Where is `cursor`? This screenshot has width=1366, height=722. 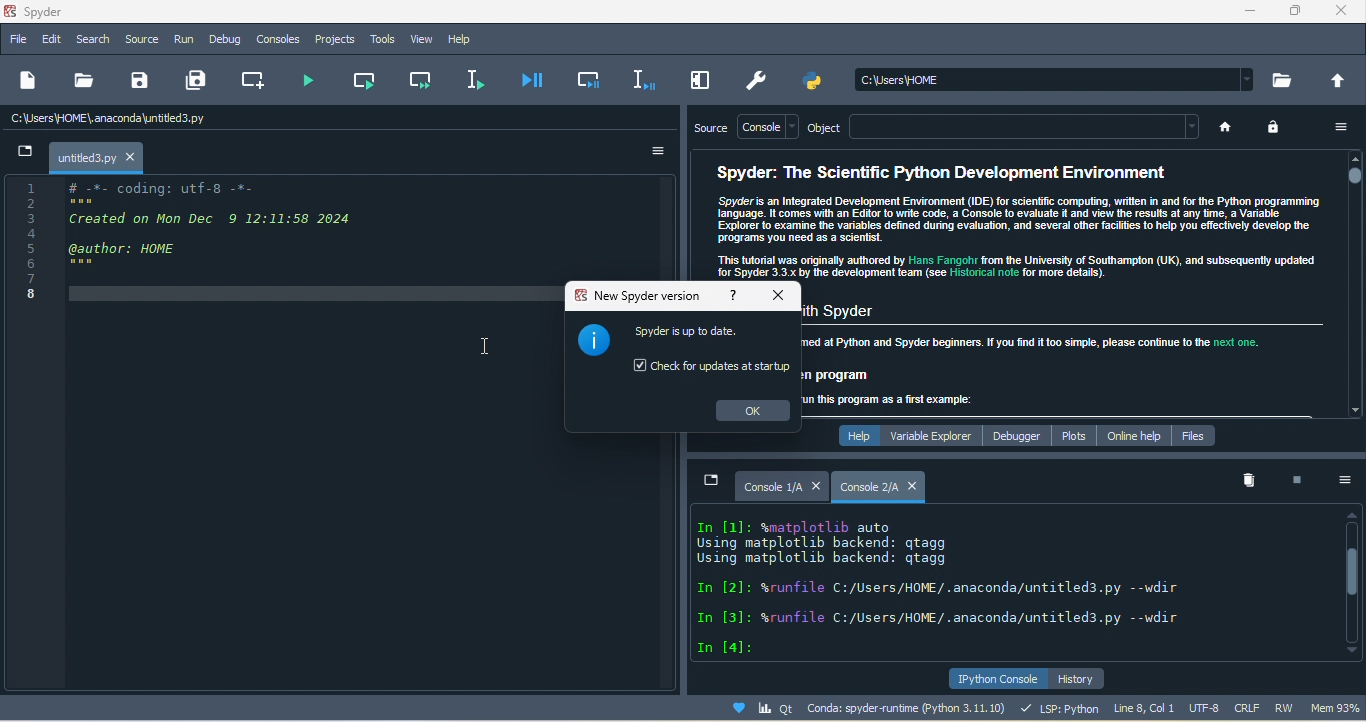
cursor is located at coordinates (483, 347).